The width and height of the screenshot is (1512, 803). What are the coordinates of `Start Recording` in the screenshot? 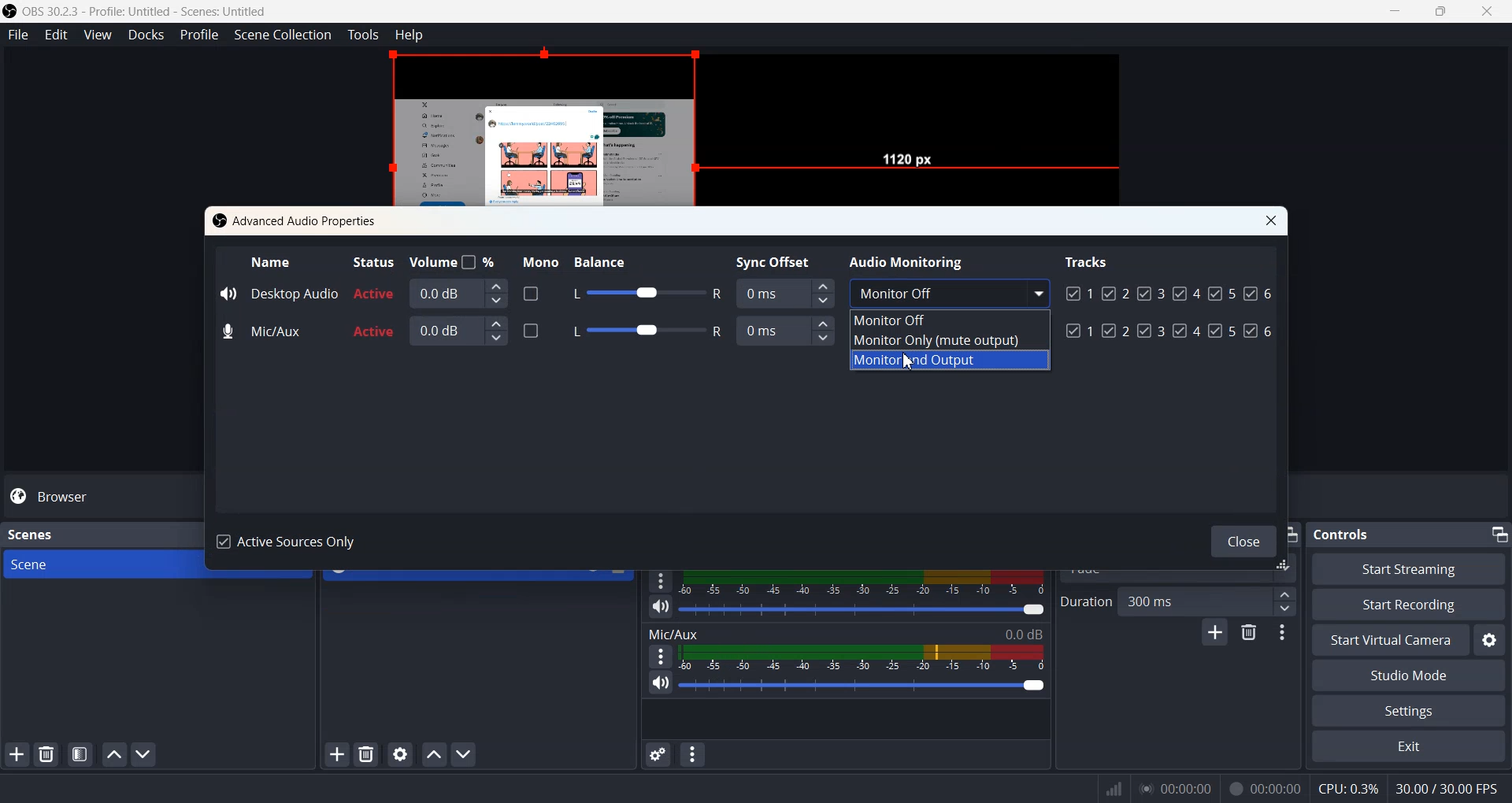 It's located at (1408, 604).